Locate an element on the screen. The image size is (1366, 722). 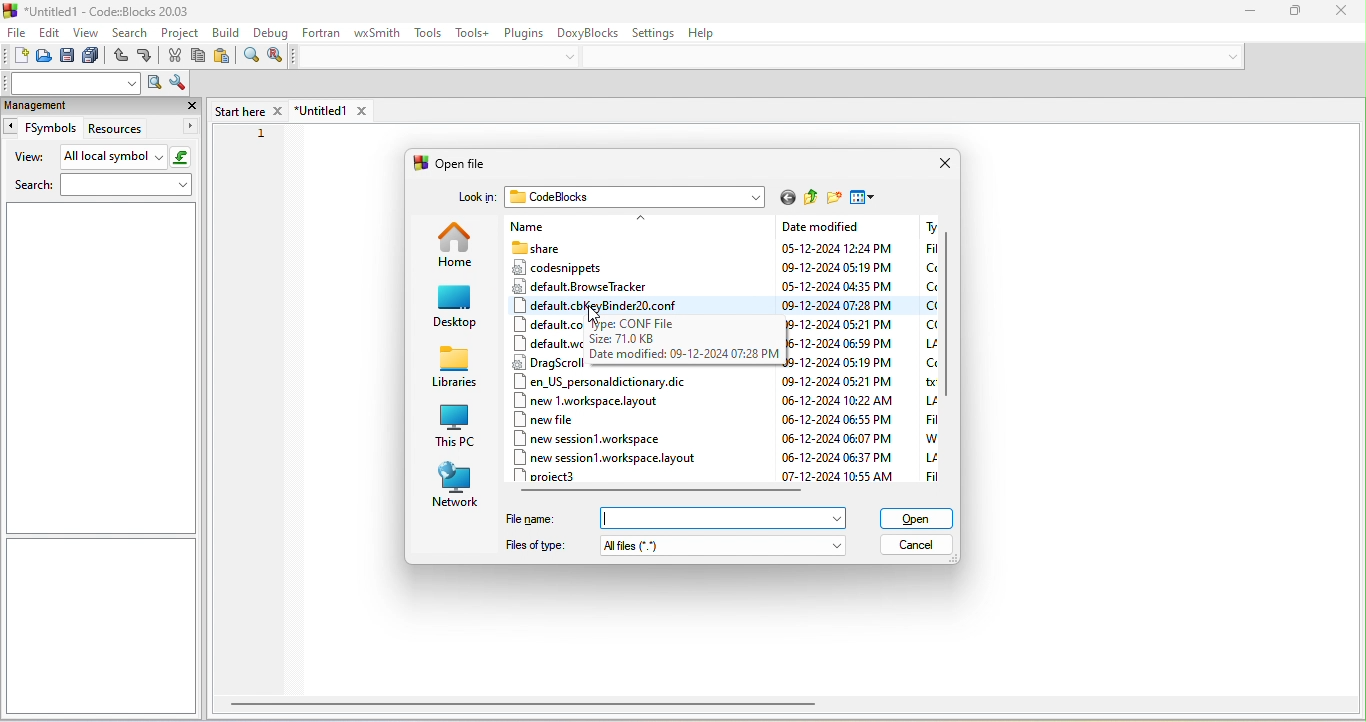
save everything is located at coordinates (94, 56).